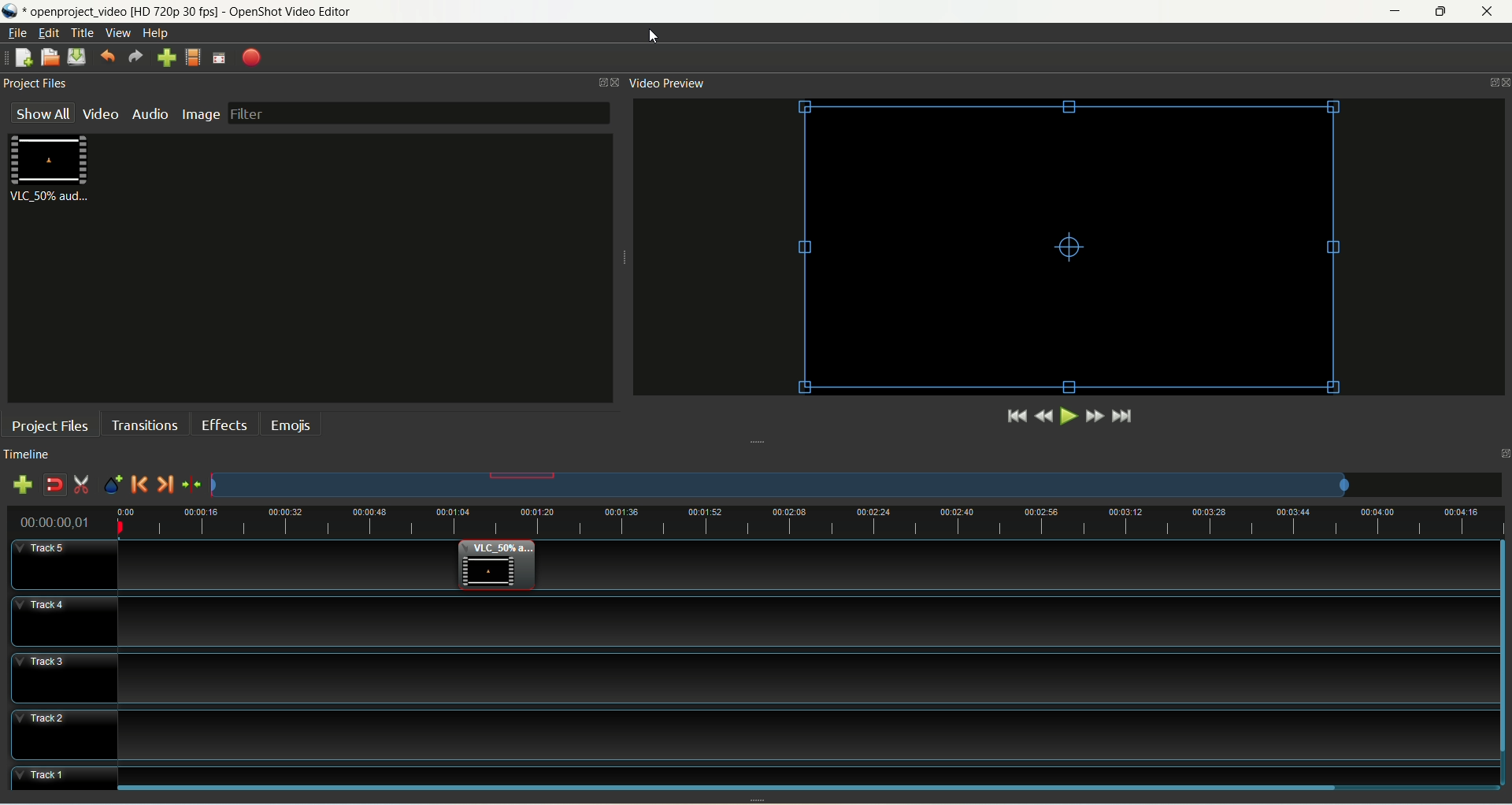  What do you see at coordinates (53, 169) in the screenshot?
I see `video clip` at bounding box center [53, 169].